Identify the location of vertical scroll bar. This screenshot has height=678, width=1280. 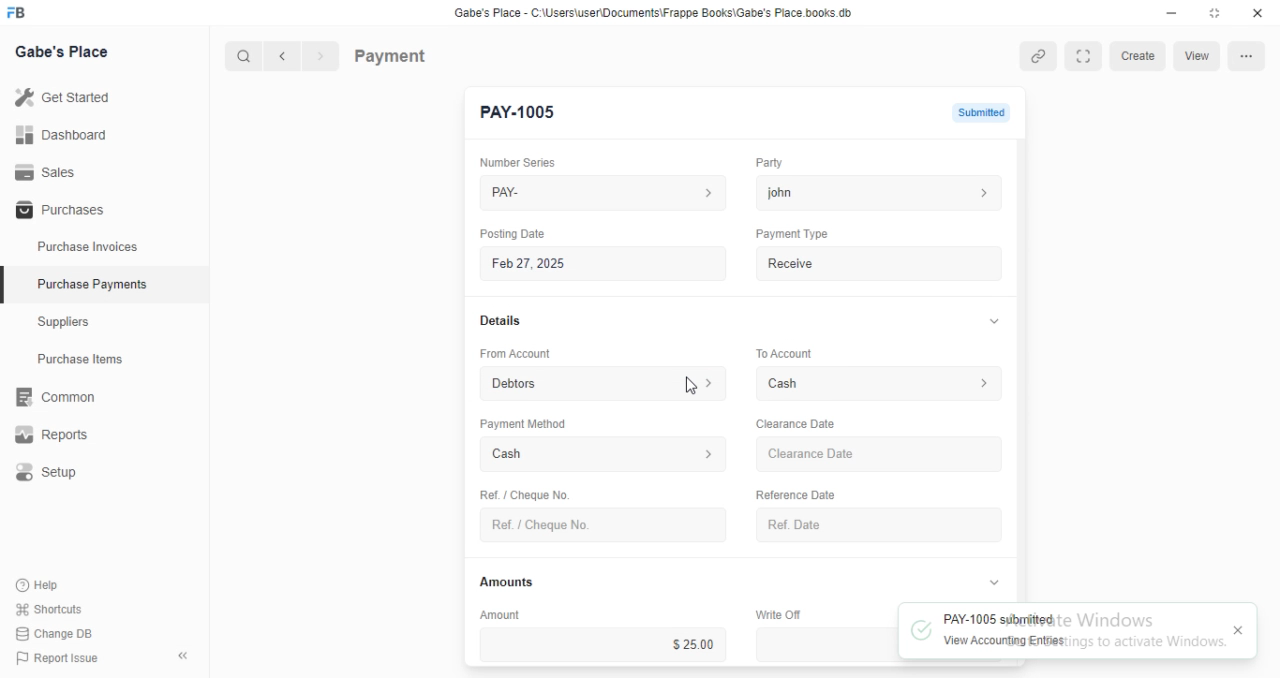
(1022, 369).